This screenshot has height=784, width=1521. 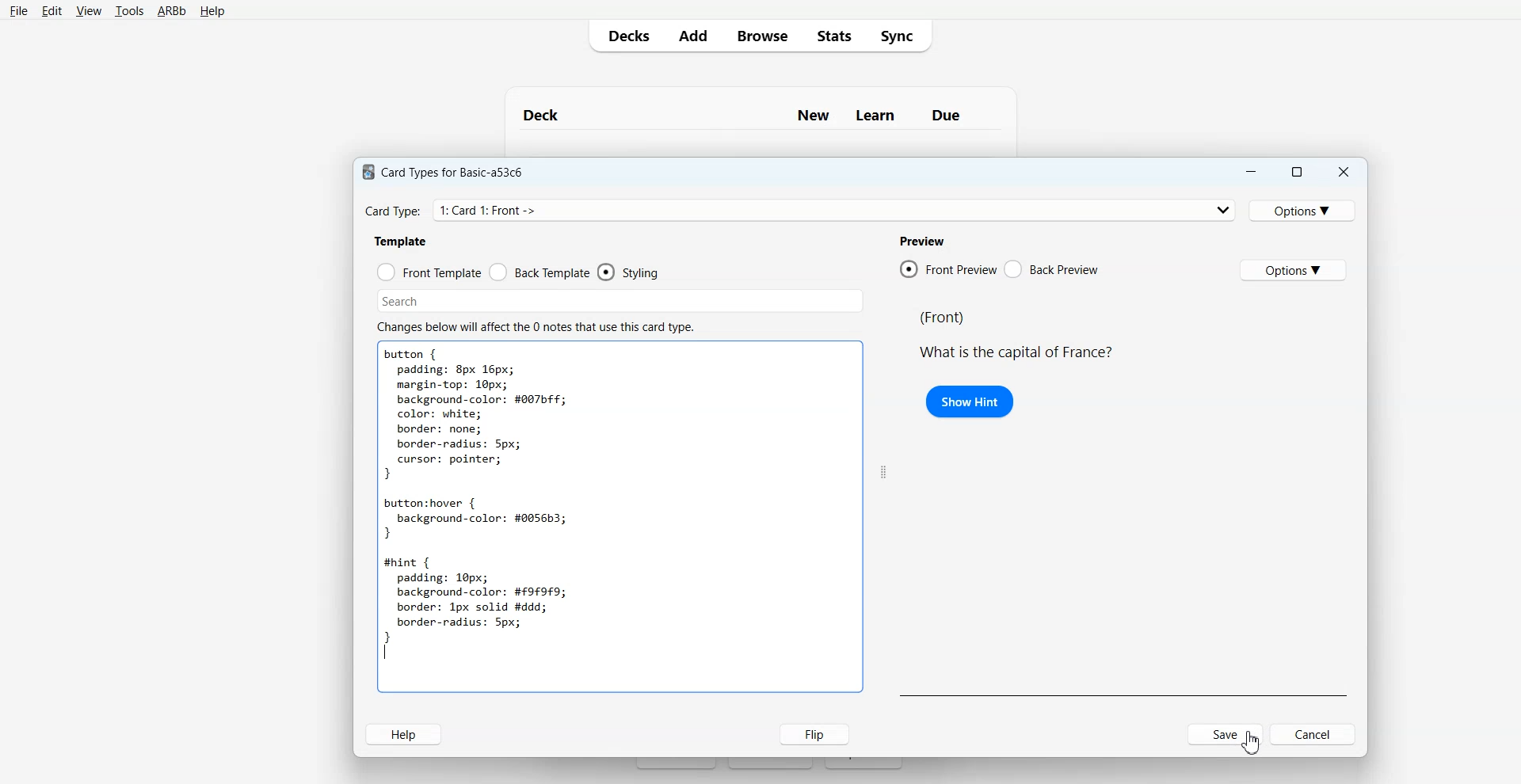 I want to click on Search Bar, so click(x=620, y=301).